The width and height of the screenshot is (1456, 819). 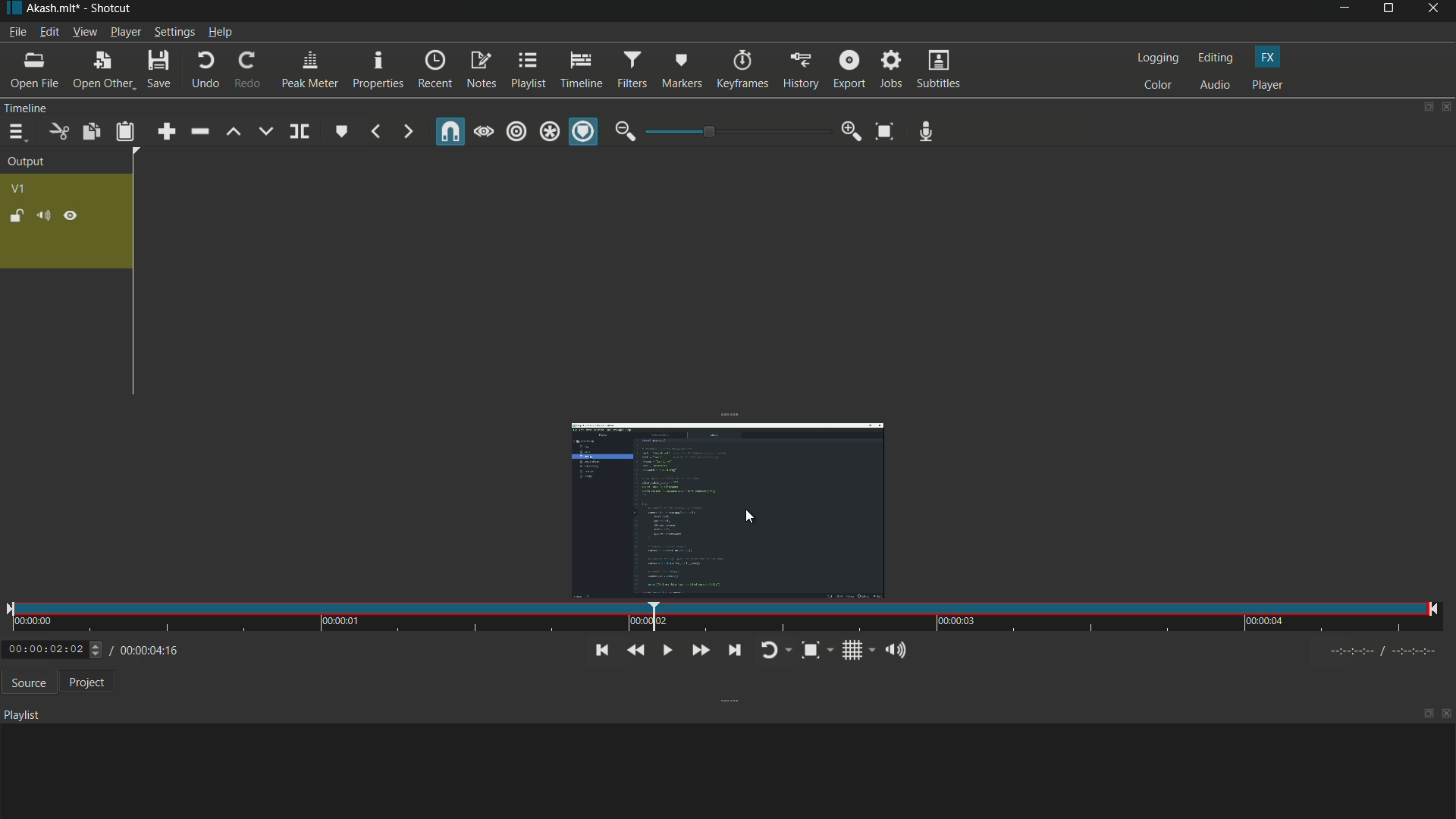 What do you see at coordinates (25, 682) in the screenshot?
I see `source` at bounding box center [25, 682].